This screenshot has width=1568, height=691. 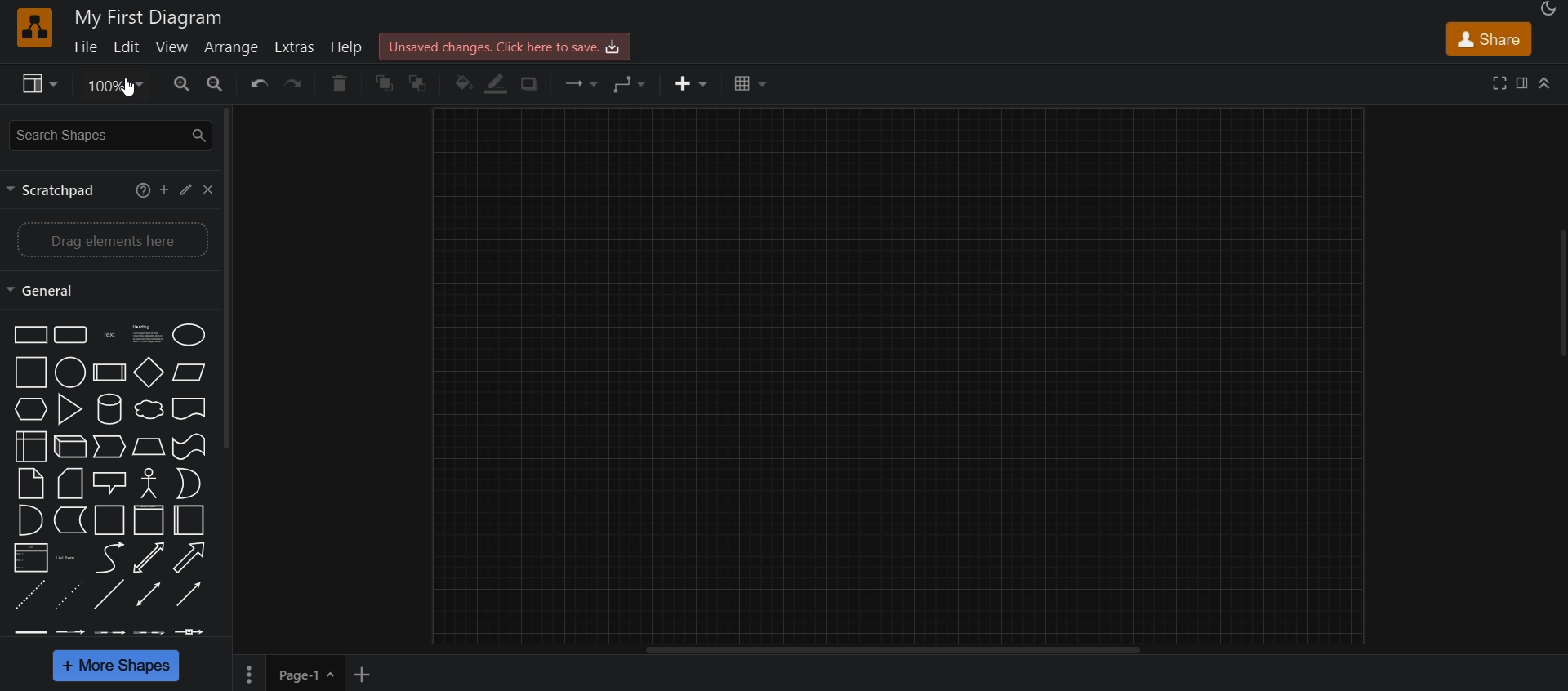 What do you see at coordinates (1498, 84) in the screenshot?
I see `fullscreen` at bounding box center [1498, 84].